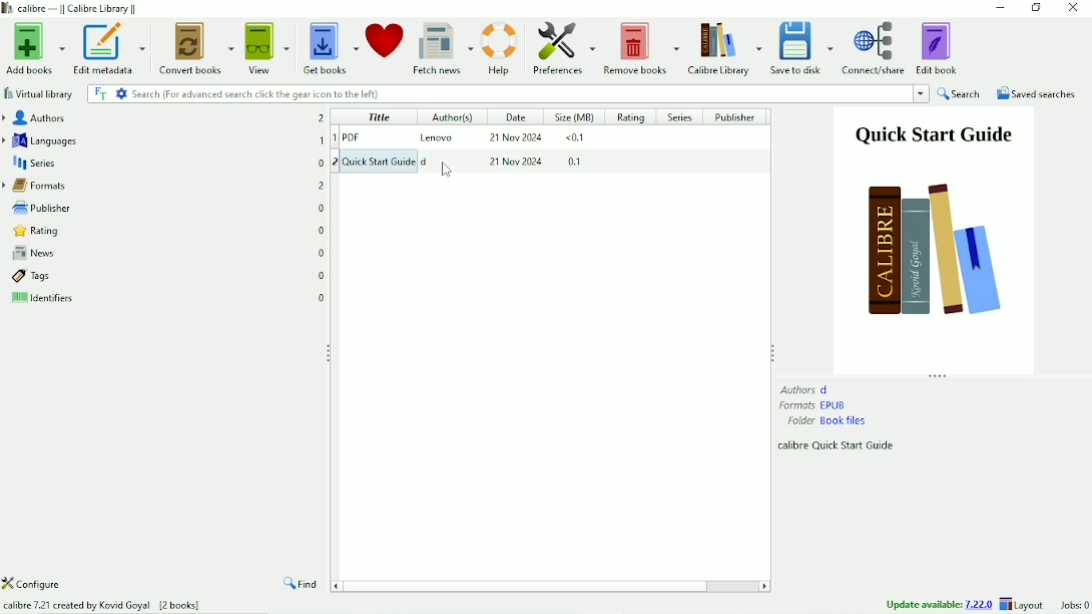  What do you see at coordinates (1072, 9) in the screenshot?
I see `Close` at bounding box center [1072, 9].